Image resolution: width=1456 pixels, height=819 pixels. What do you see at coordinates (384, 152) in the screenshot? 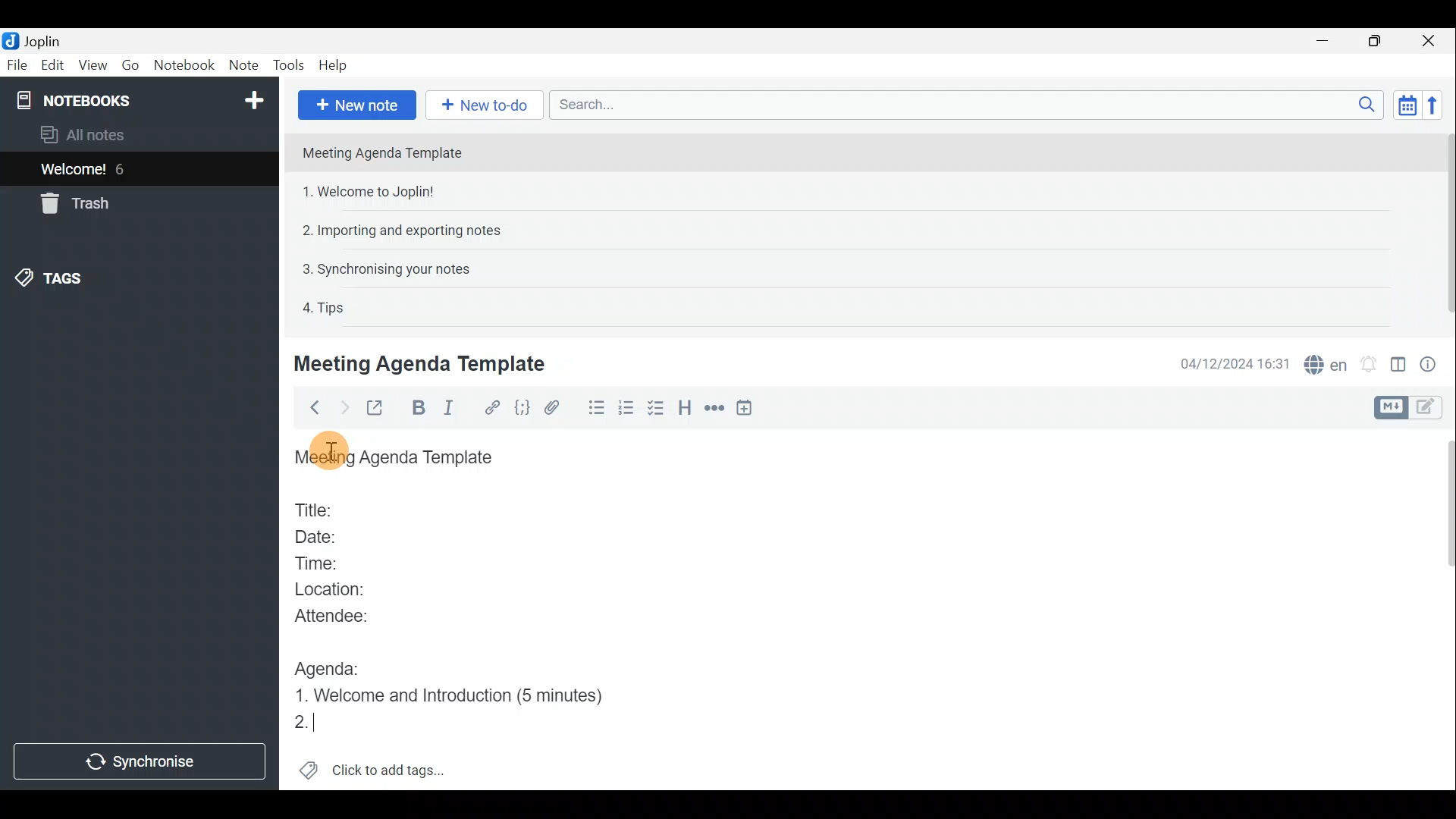
I see `Meeting Agenda Template` at bounding box center [384, 152].